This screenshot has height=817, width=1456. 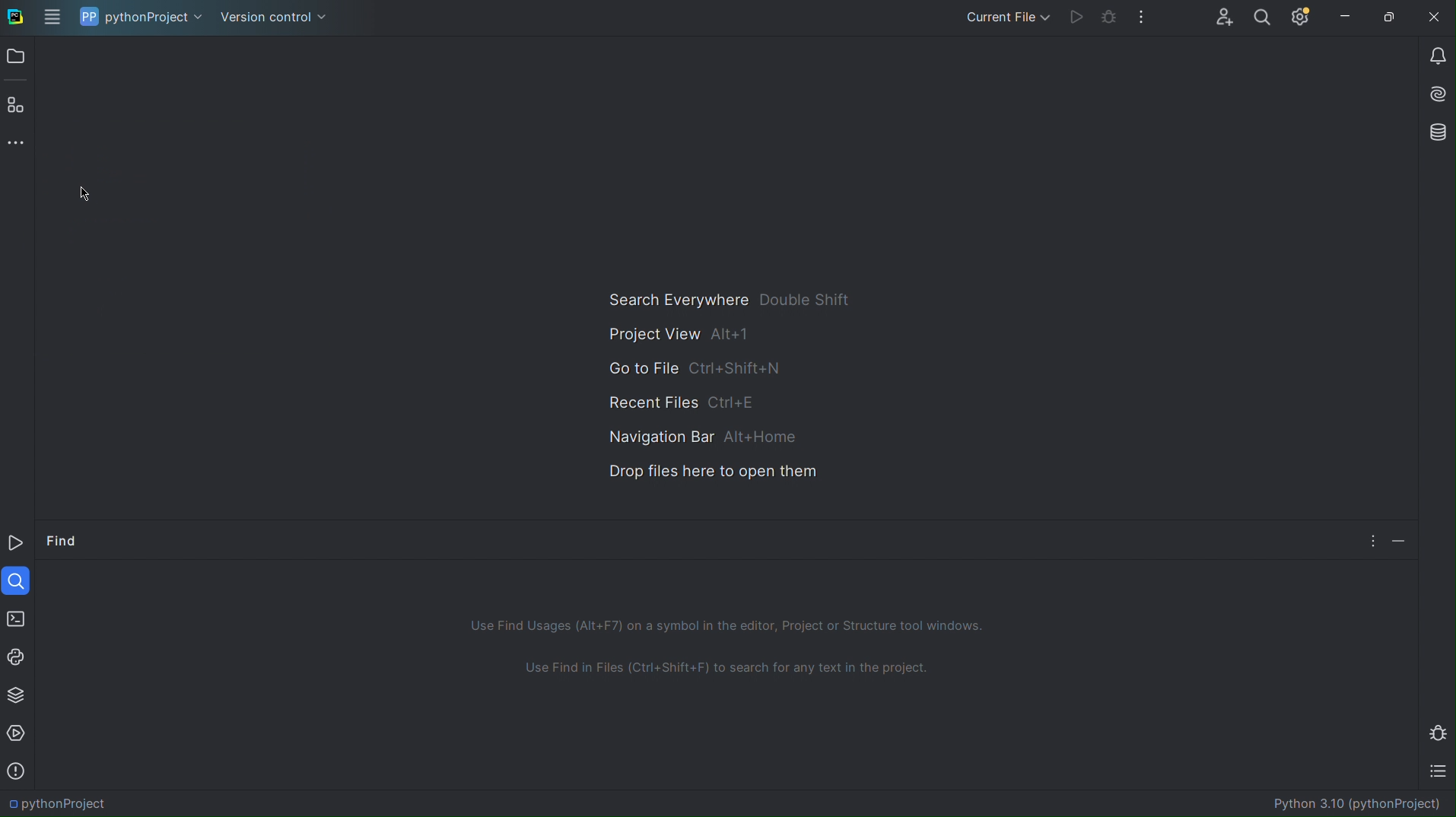 What do you see at coordinates (730, 671) in the screenshot?
I see `Find Terminal` at bounding box center [730, 671].